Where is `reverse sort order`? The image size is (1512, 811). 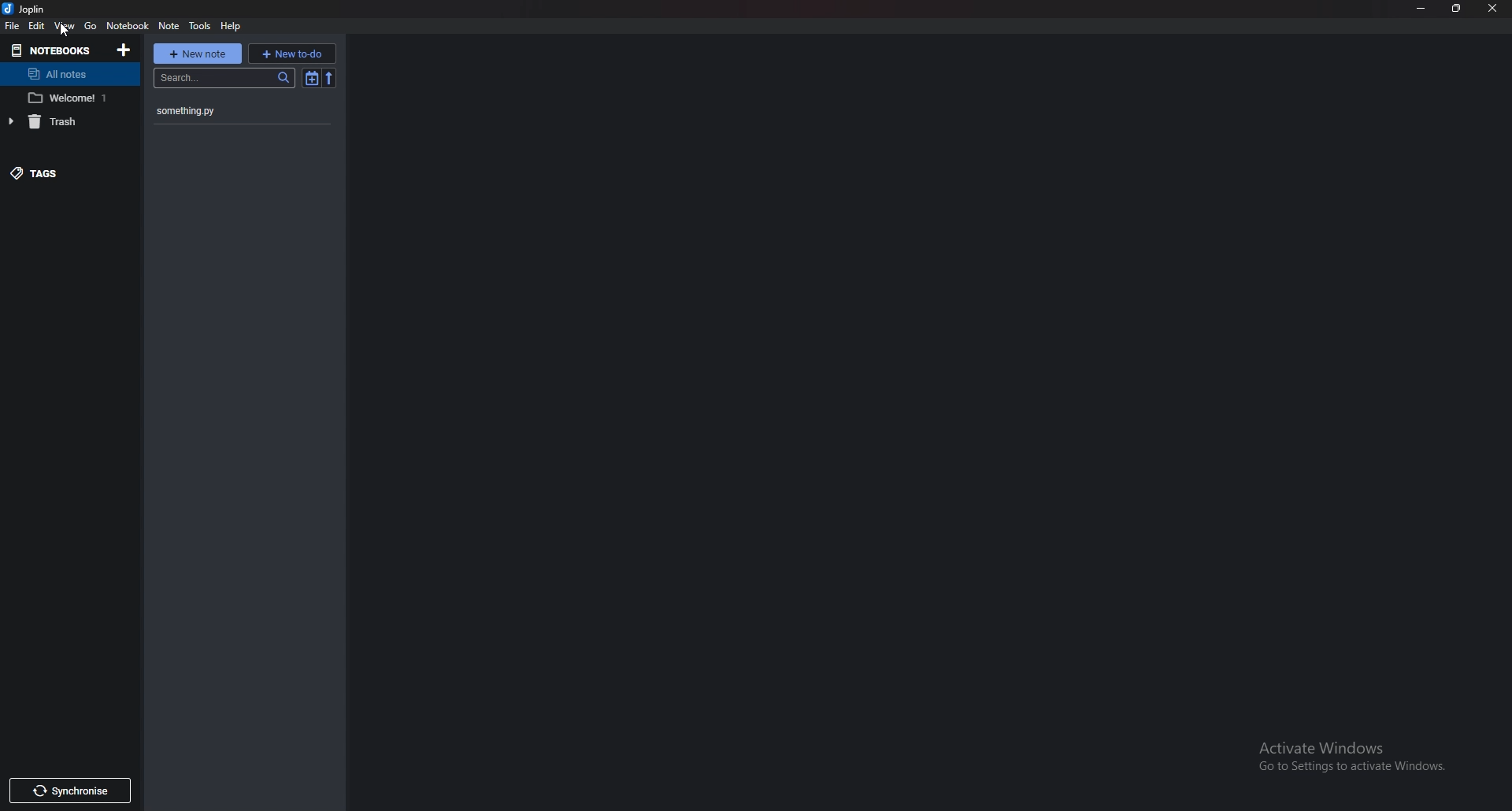 reverse sort order is located at coordinates (329, 78).